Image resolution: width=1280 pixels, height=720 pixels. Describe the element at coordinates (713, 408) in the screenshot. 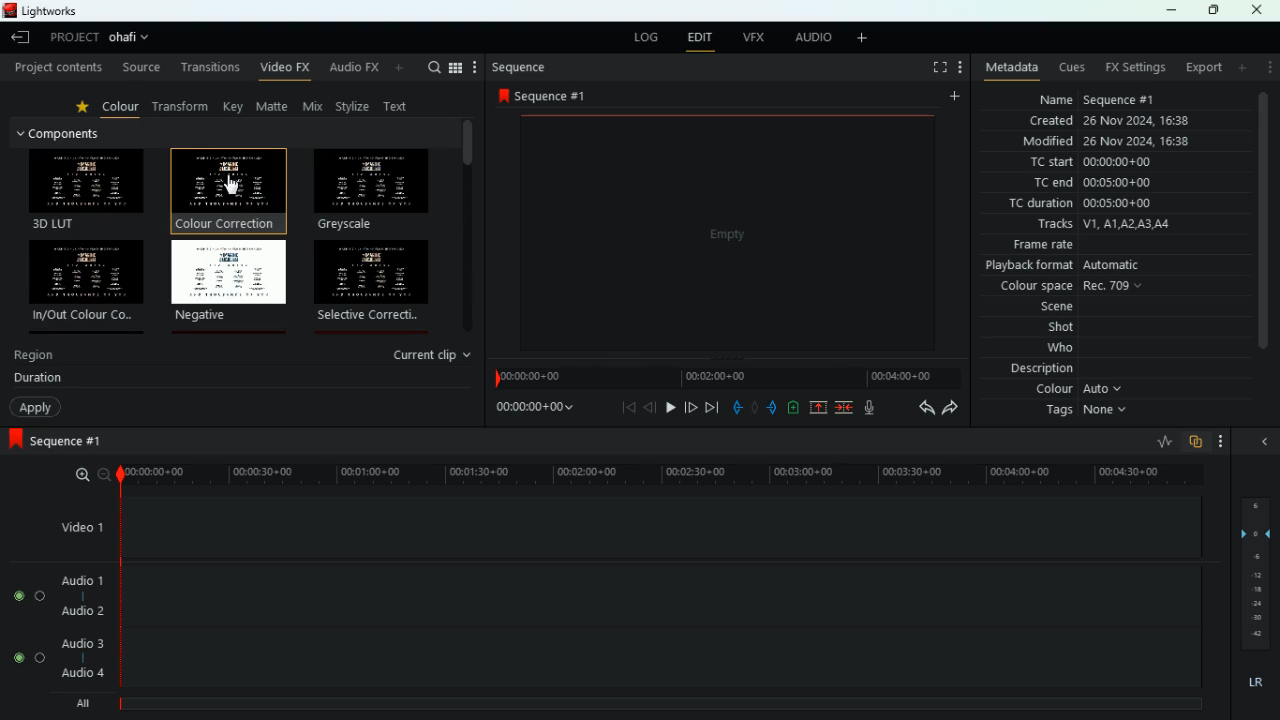

I see `end` at that location.